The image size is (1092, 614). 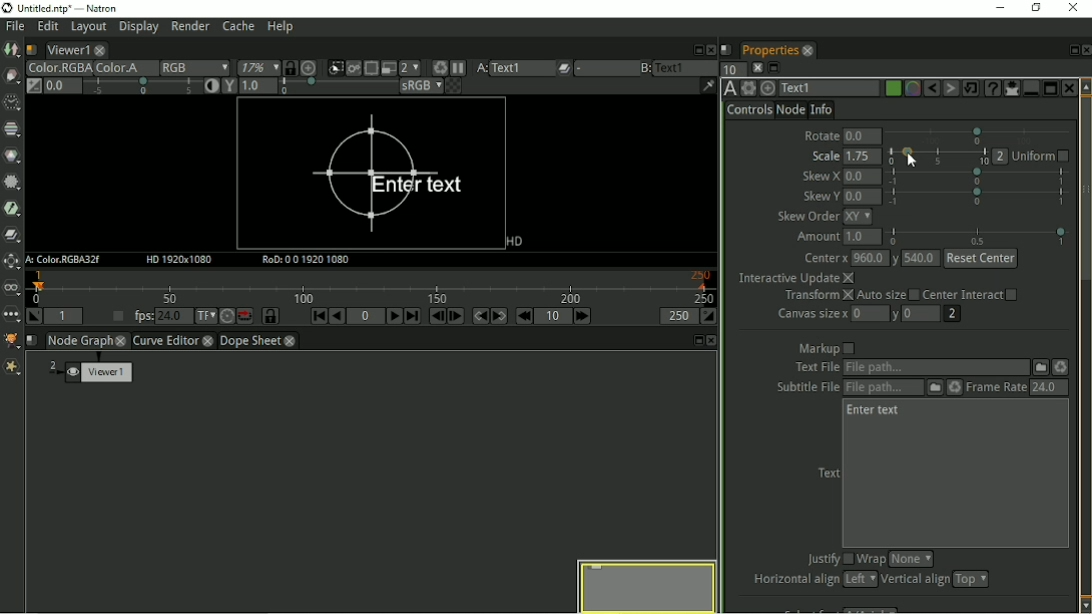 What do you see at coordinates (791, 111) in the screenshot?
I see `Node` at bounding box center [791, 111].